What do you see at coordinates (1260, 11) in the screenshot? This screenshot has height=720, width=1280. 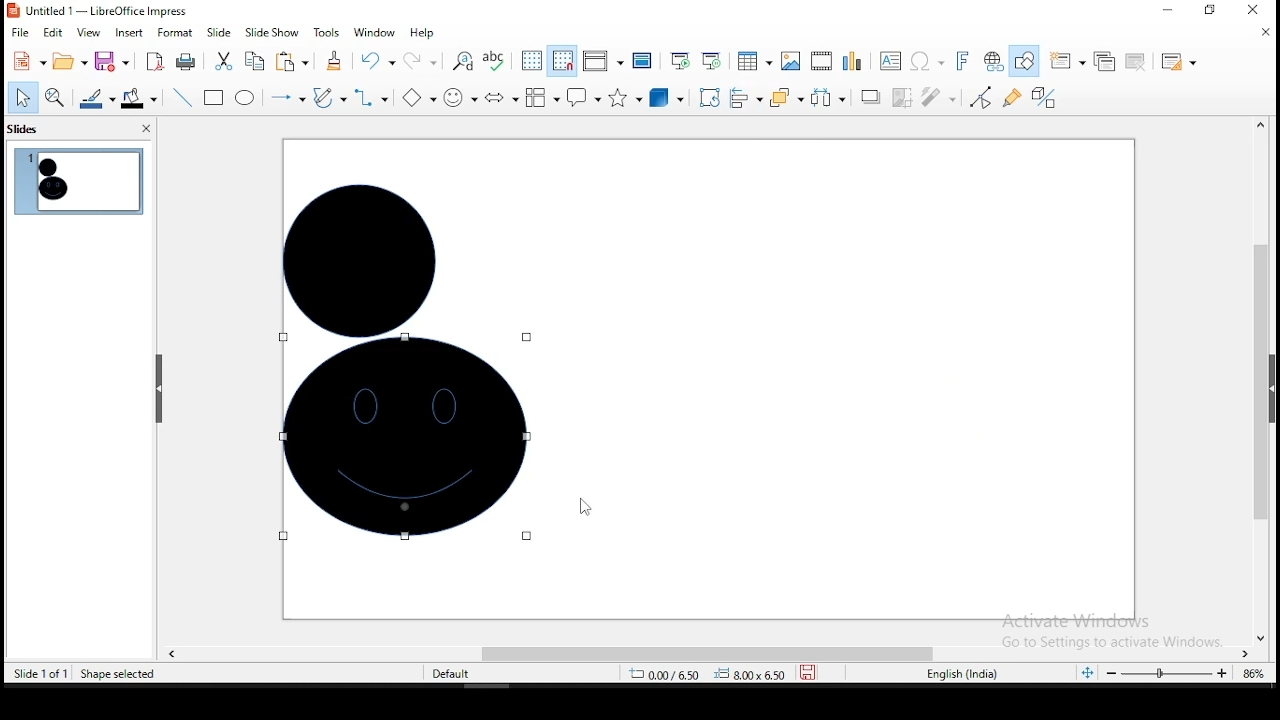 I see `close window` at bounding box center [1260, 11].